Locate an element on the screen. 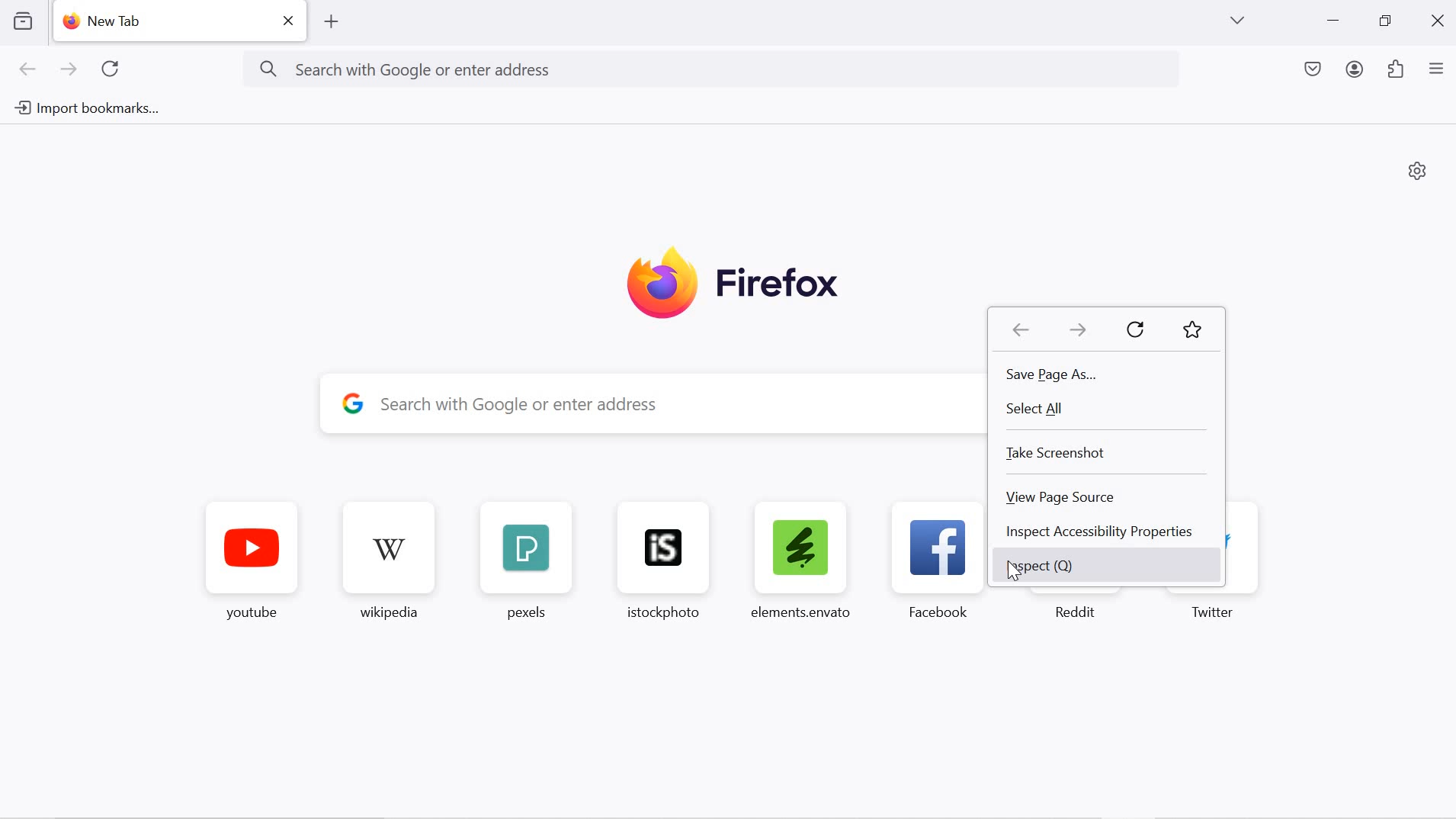 Image resolution: width=1456 pixels, height=819 pixels. next page is located at coordinates (69, 71).